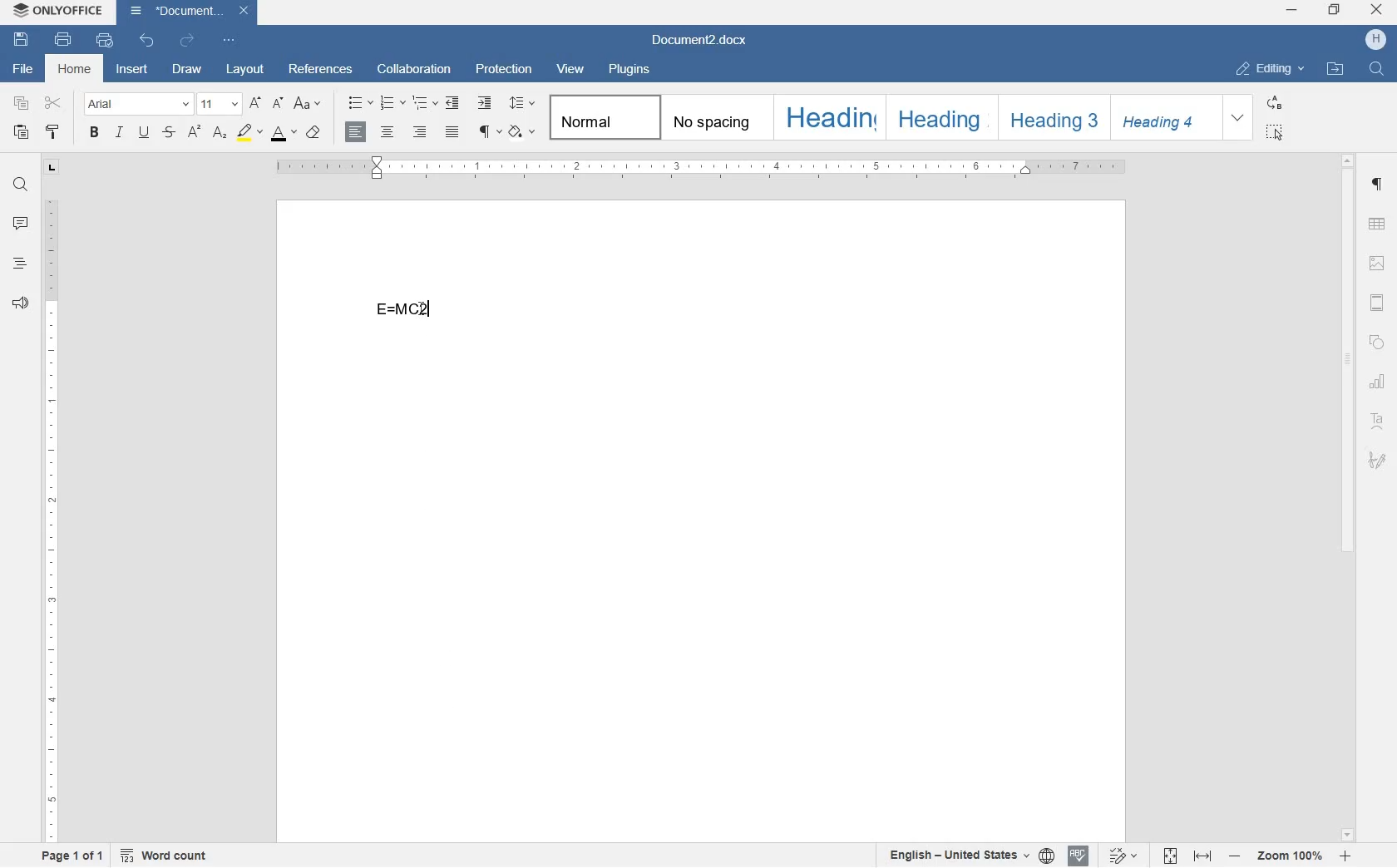 Image resolution: width=1397 pixels, height=868 pixels. What do you see at coordinates (1379, 303) in the screenshot?
I see `header & footer` at bounding box center [1379, 303].